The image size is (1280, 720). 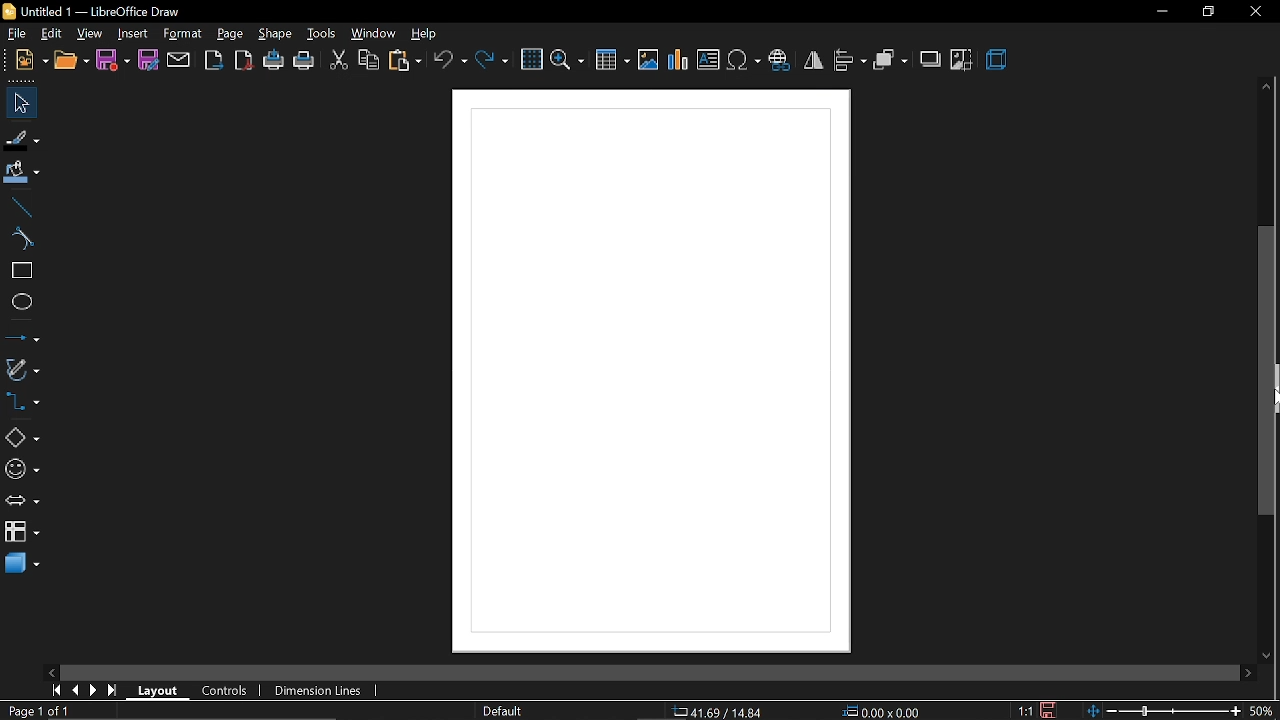 What do you see at coordinates (530, 61) in the screenshot?
I see `grid` at bounding box center [530, 61].